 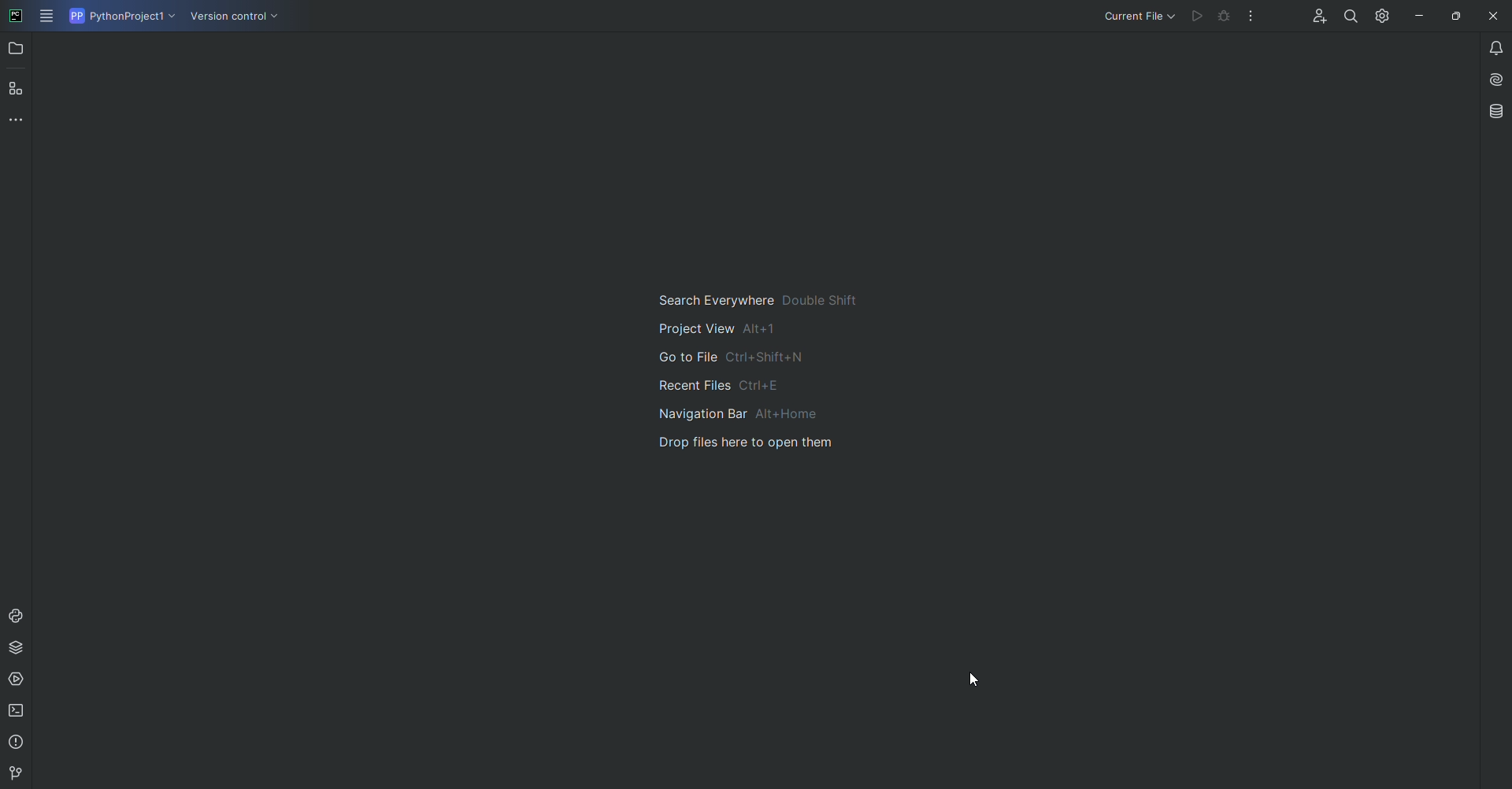 I want to click on Current file, so click(x=1138, y=16).